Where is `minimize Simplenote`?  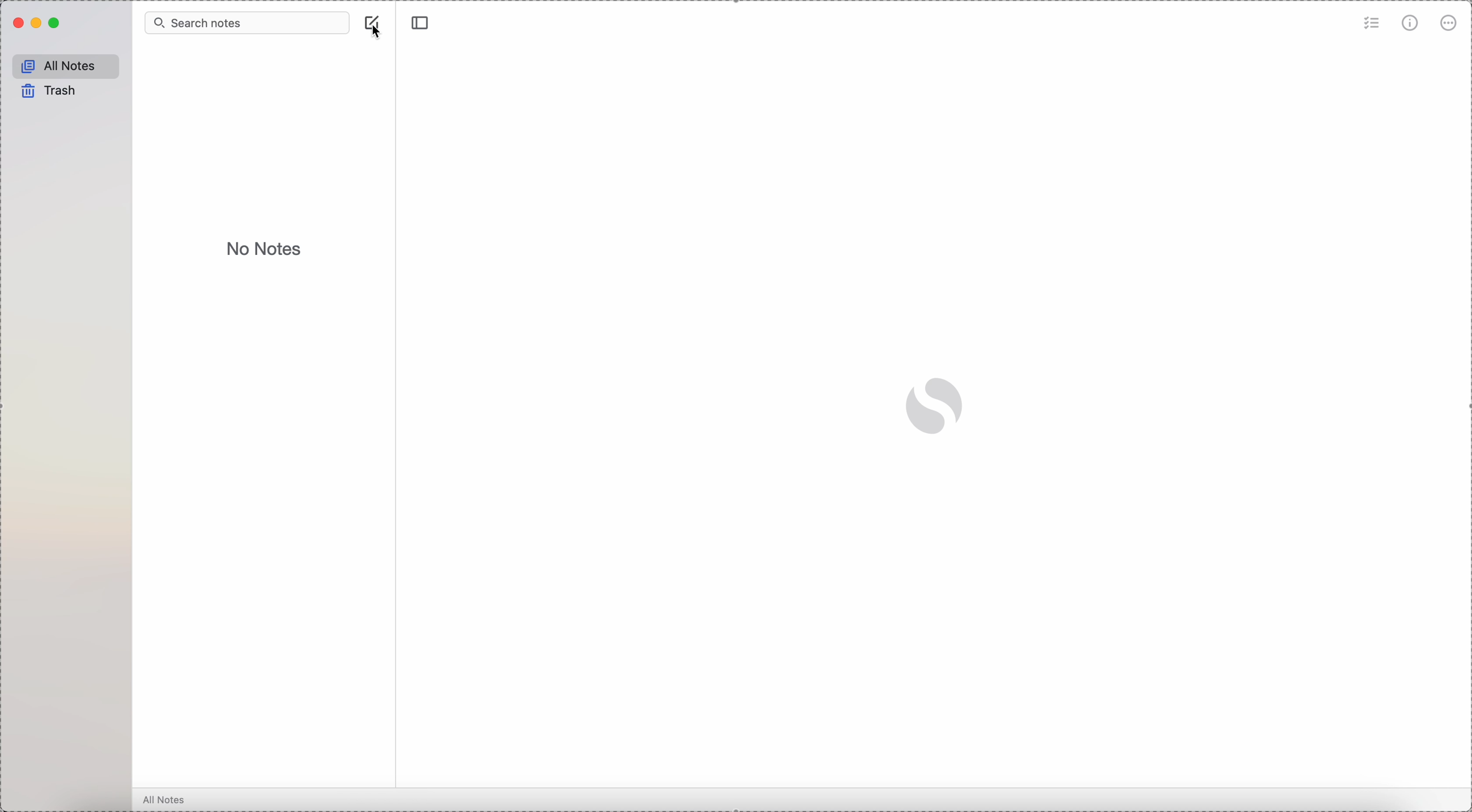
minimize Simplenote is located at coordinates (38, 25).